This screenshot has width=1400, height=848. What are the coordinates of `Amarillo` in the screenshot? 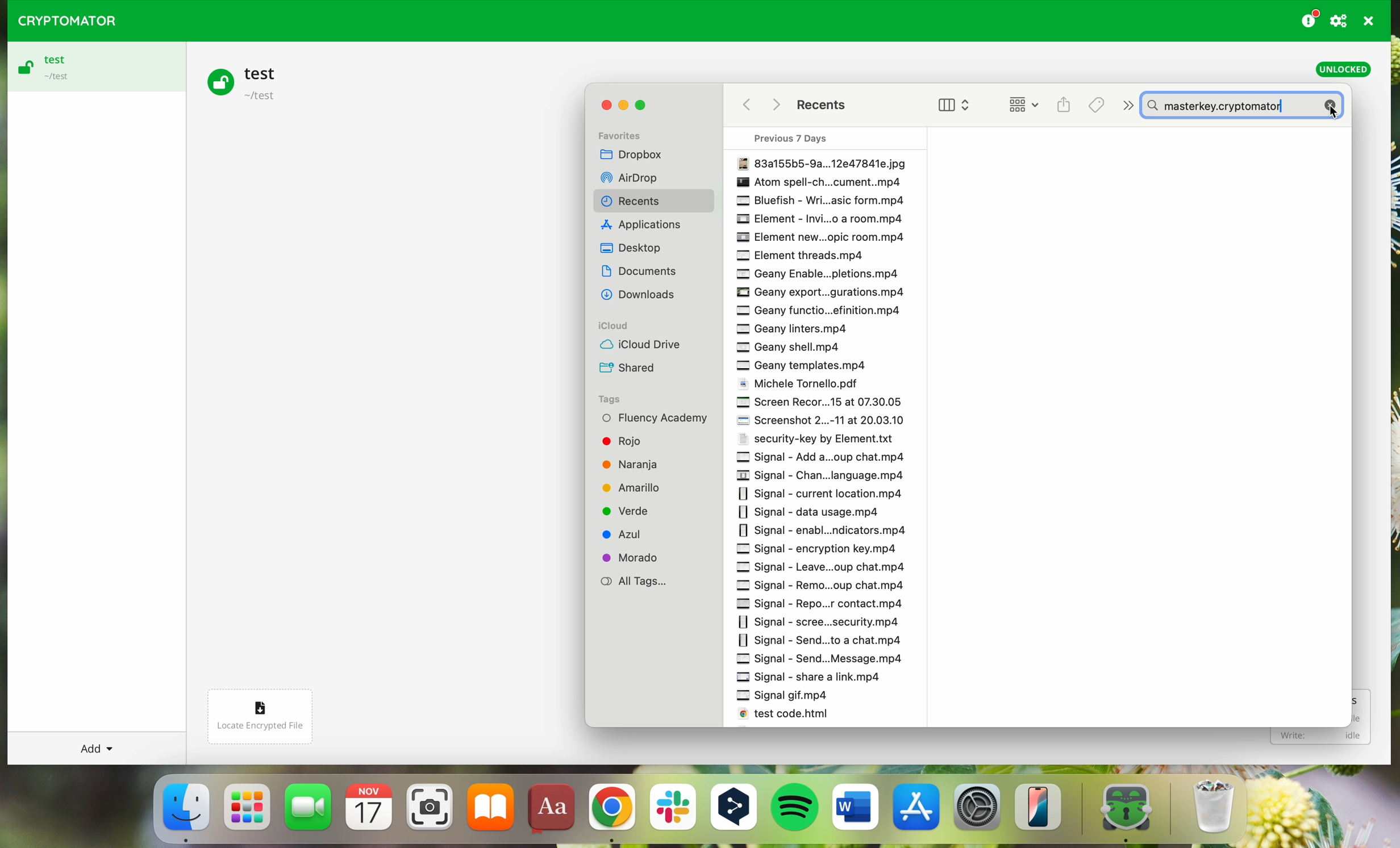 It's located at (641, 487).